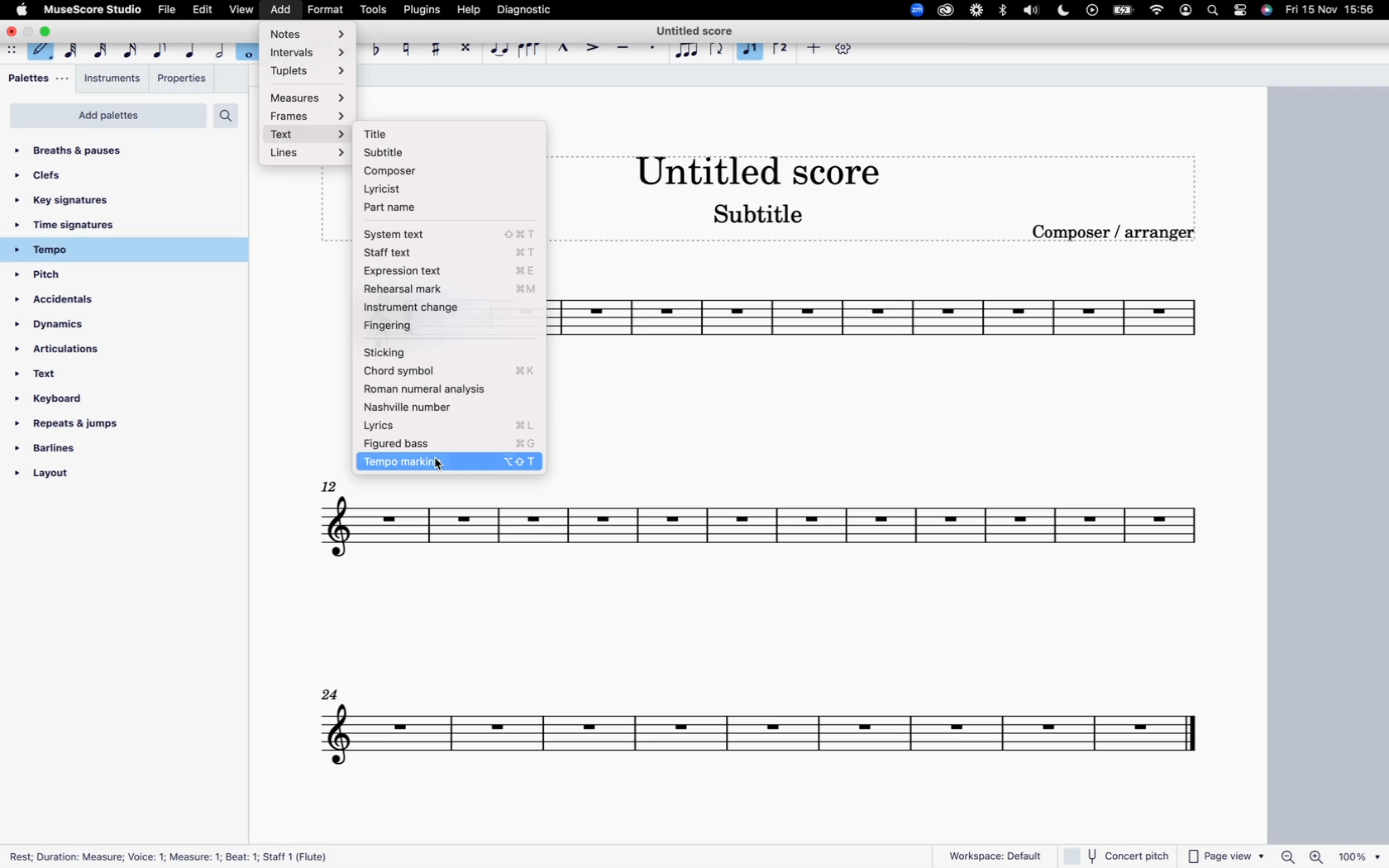 This screenshot has height=868, width=1389. Describe the element at coordinates (812, 48) in the screenshot. I see `more` at that location.